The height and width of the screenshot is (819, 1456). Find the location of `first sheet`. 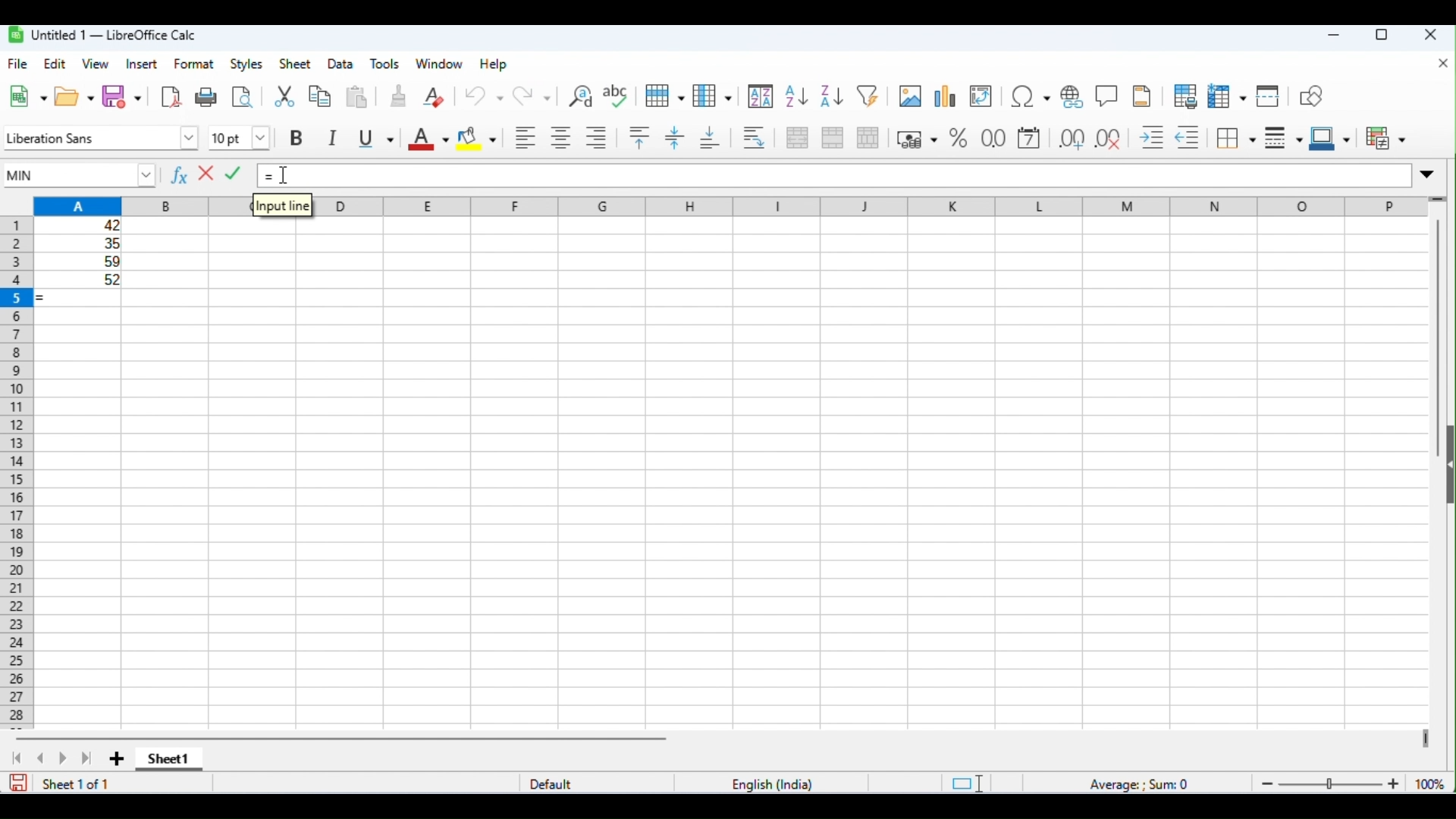

first sheet is located at coordinates (22, 758).